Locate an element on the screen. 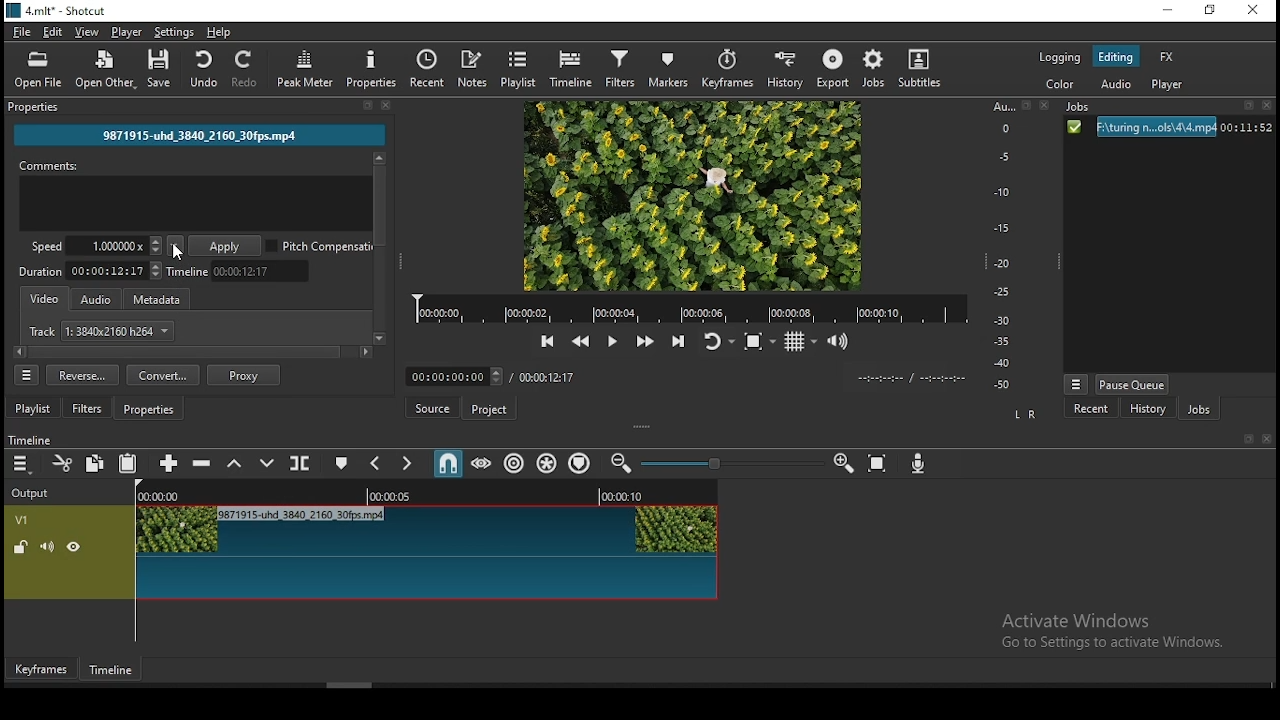 Image resolution: width=1280 pixels, height=720 pixels. notes is located at coordinates (475, 68).